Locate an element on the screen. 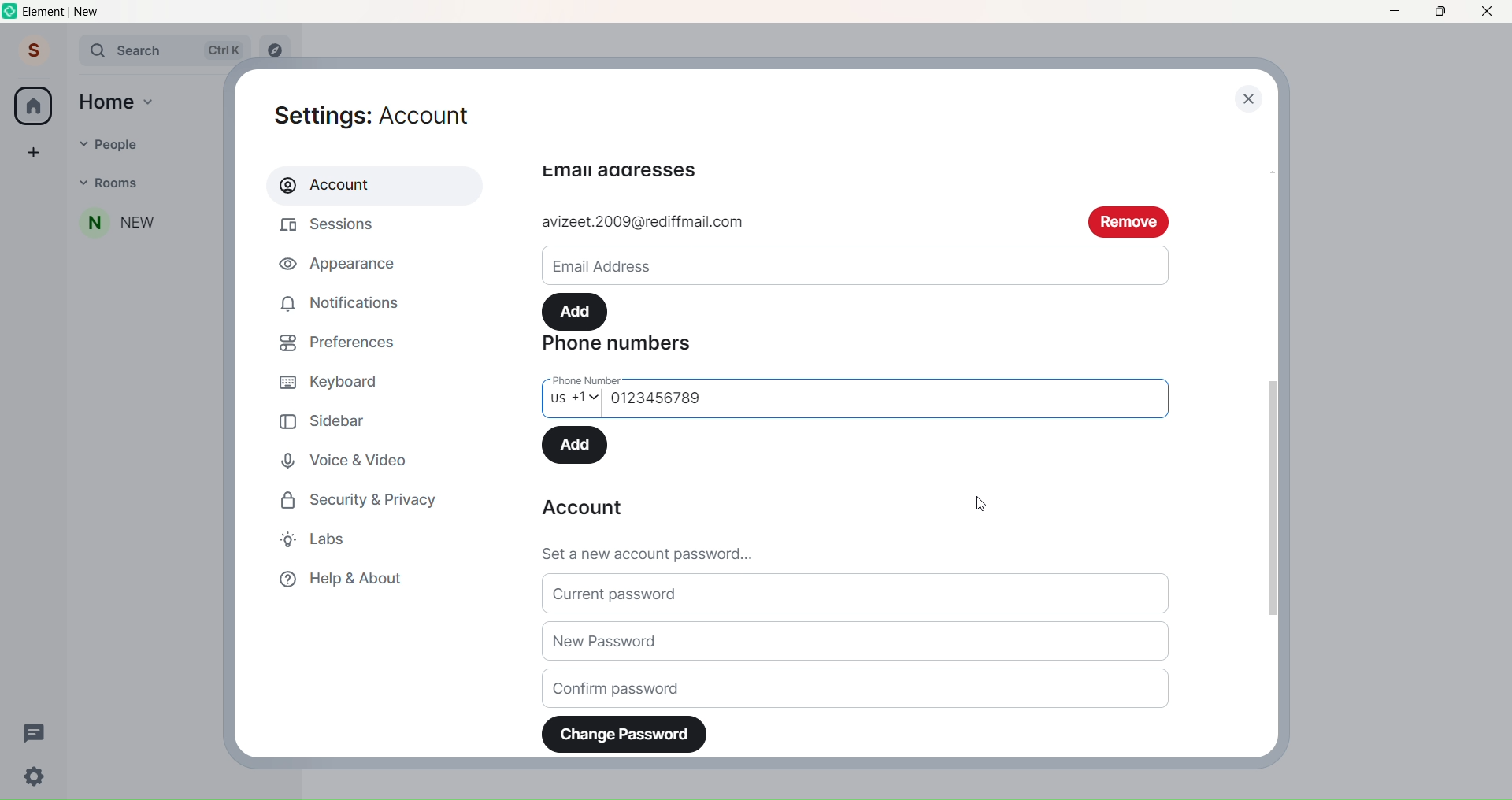  Maximize is located at coordinates (1437, 13).